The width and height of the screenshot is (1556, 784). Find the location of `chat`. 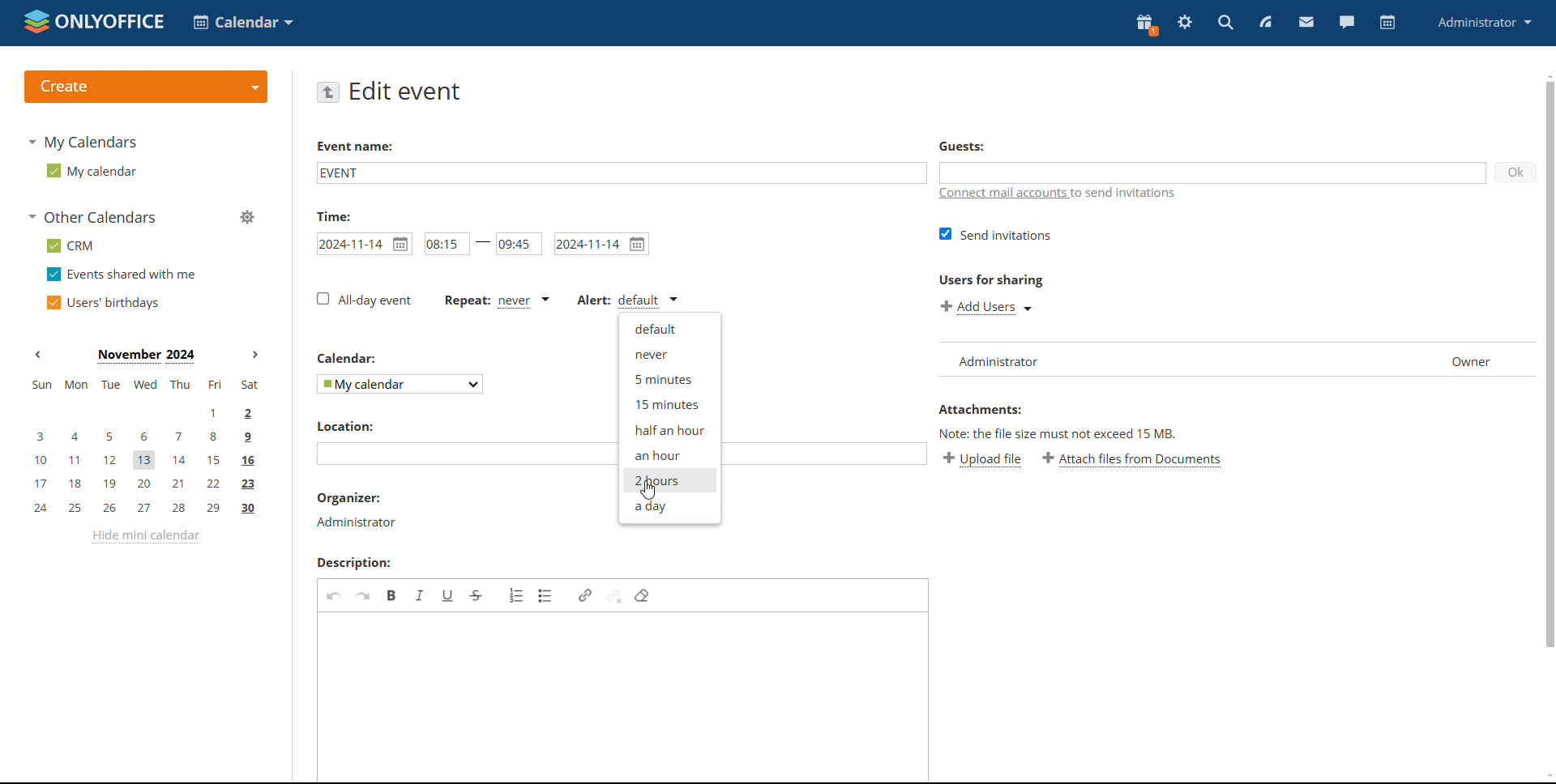

chat is located at coordinates (1346, 21).